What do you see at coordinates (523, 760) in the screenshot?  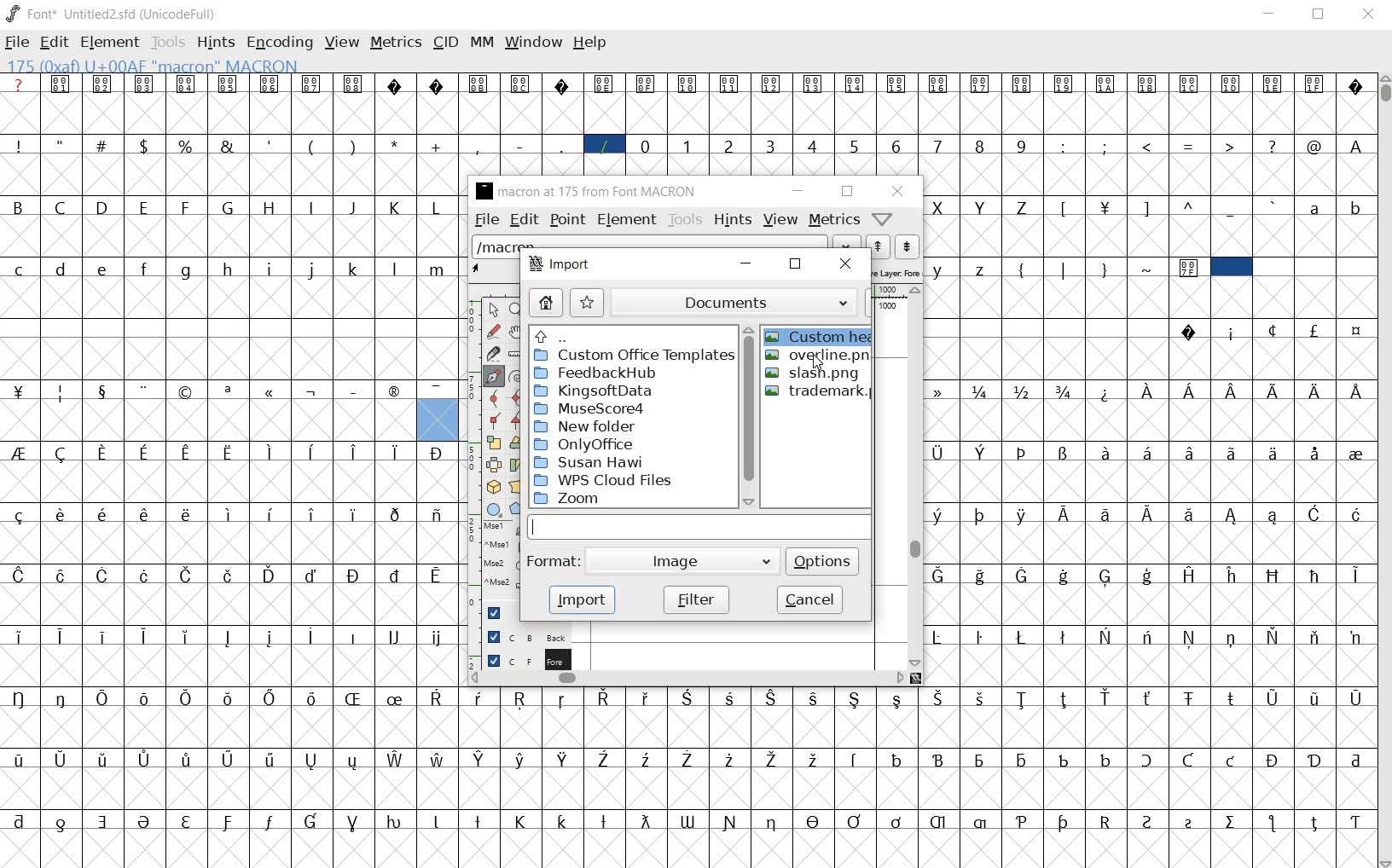 I see `Symbol` at bounding box center [523, 760].